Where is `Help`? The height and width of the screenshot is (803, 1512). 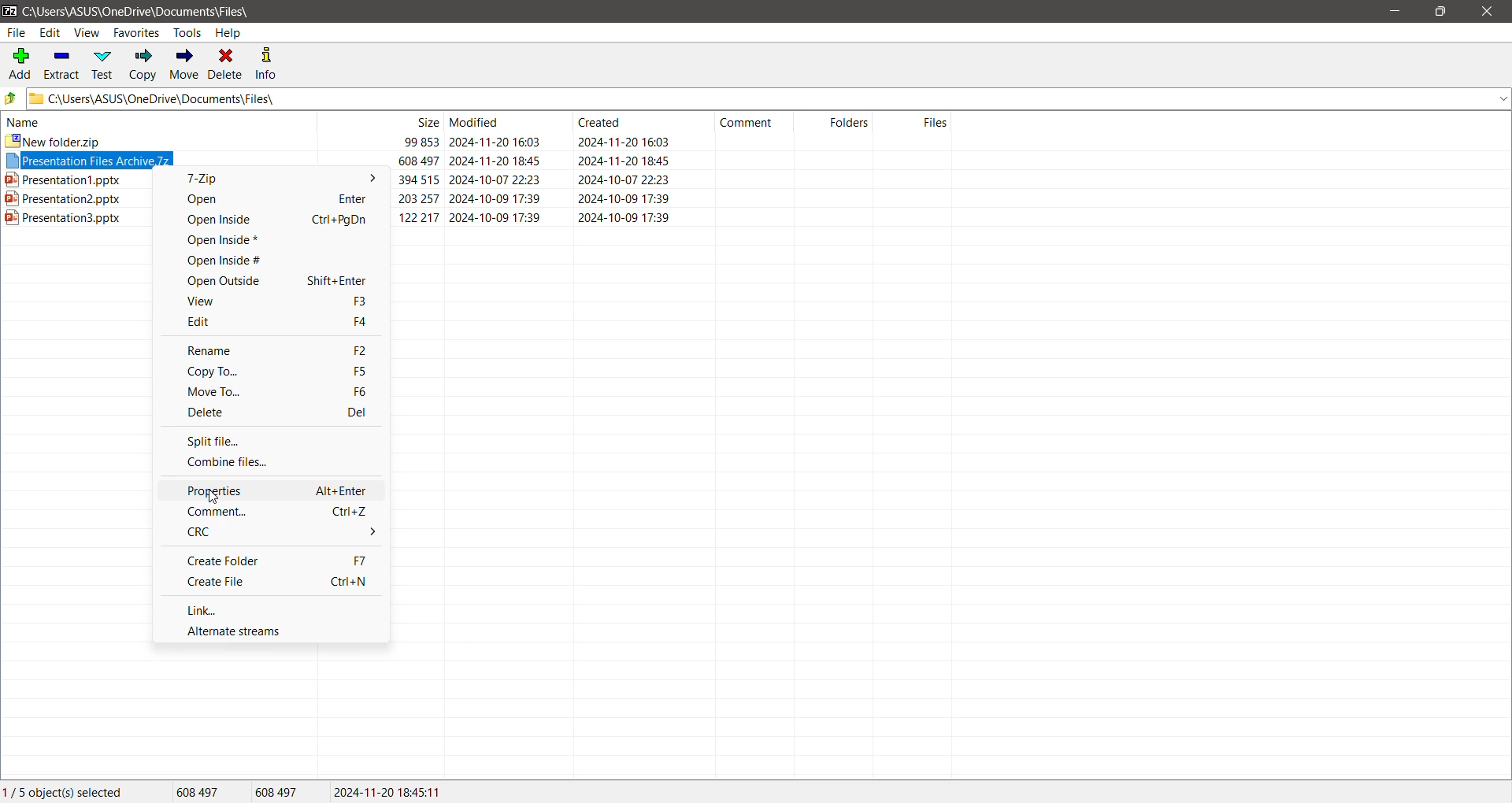
Help is located at coordinates (229, 33).